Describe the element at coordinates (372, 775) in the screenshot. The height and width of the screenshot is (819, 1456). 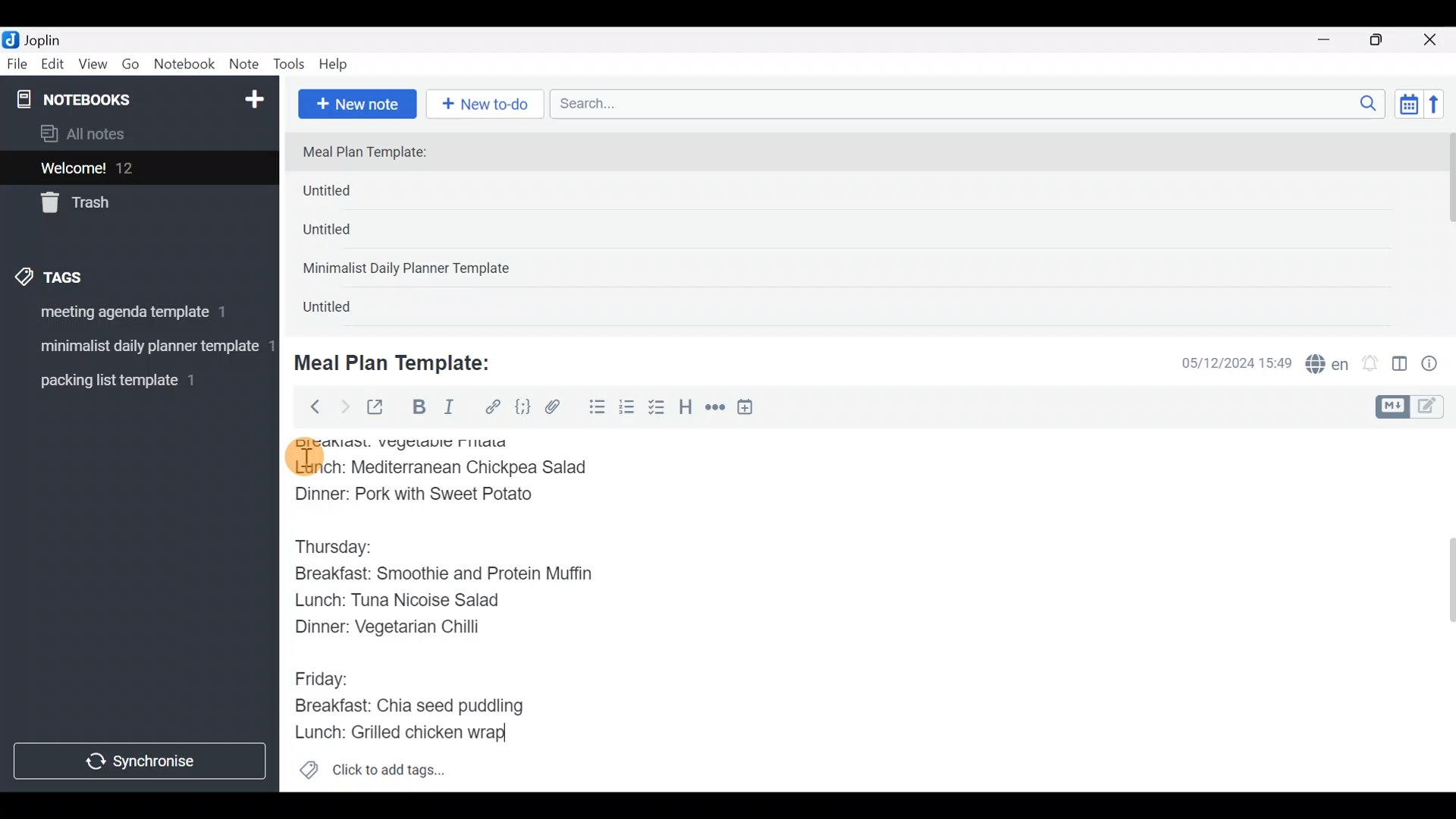
I see `Click to add tags` at that location.